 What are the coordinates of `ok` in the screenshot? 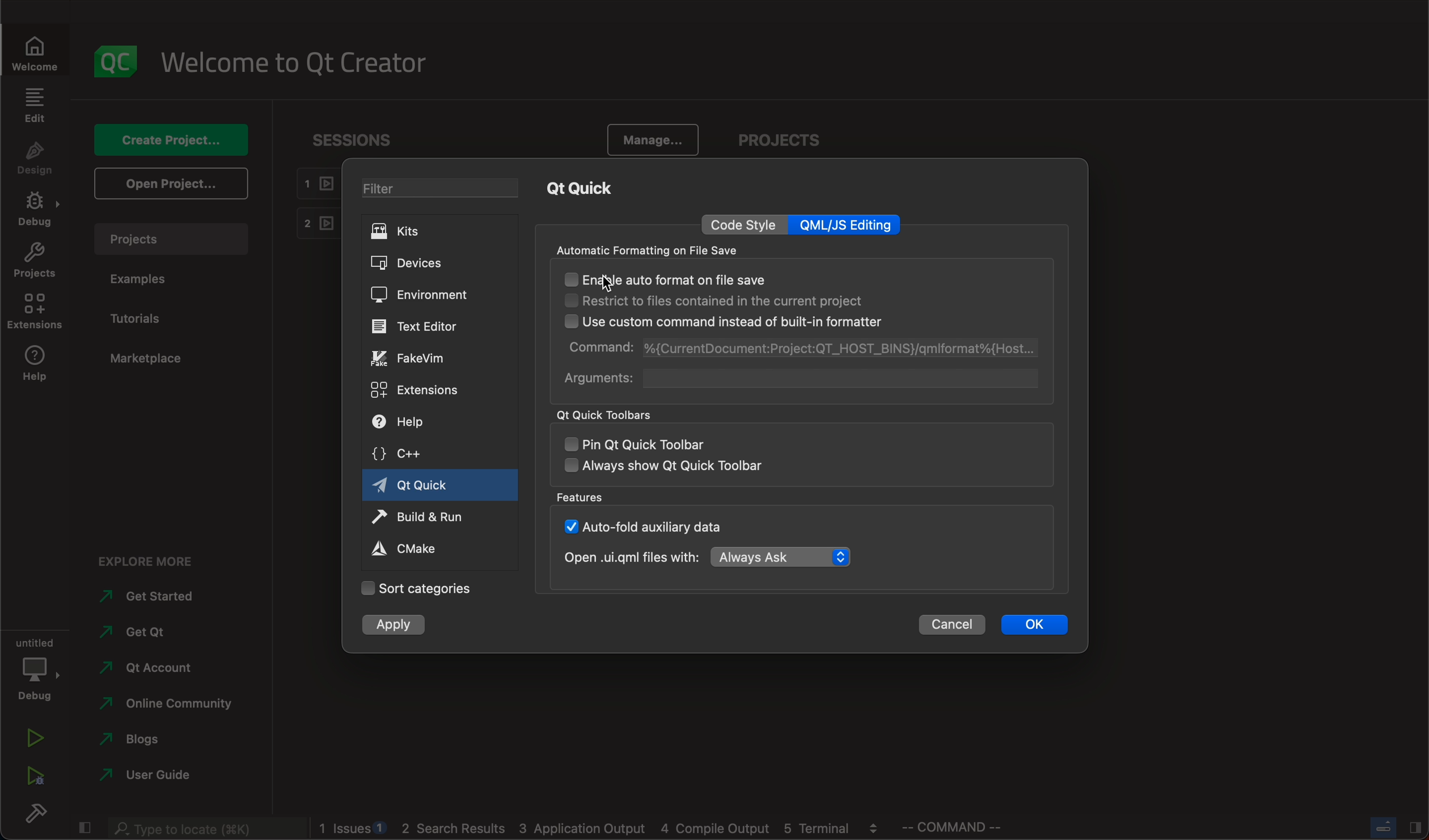 It's located at (1038, 625).